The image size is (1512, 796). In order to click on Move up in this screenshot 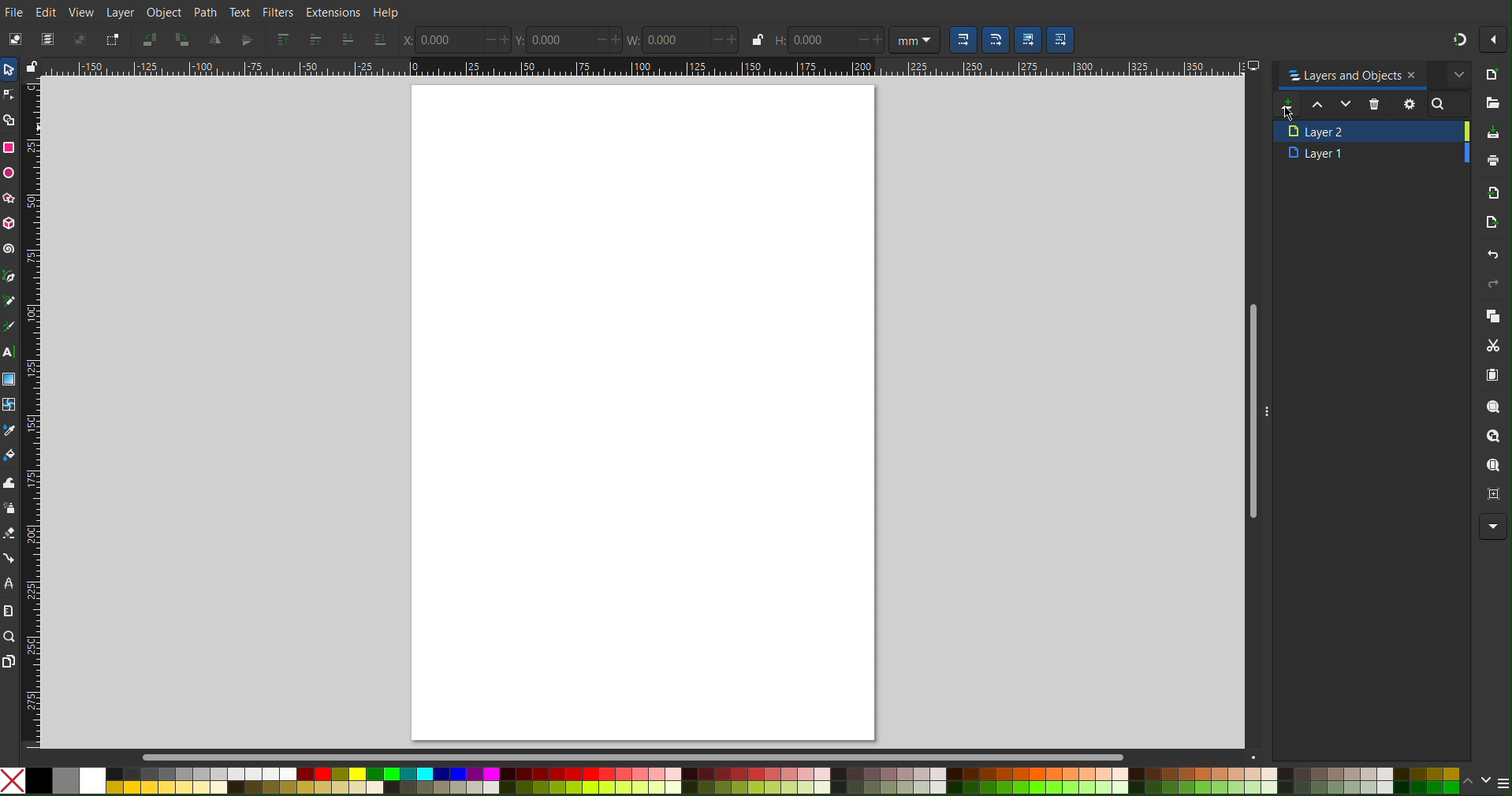, I will do `click(1319, 106)`.